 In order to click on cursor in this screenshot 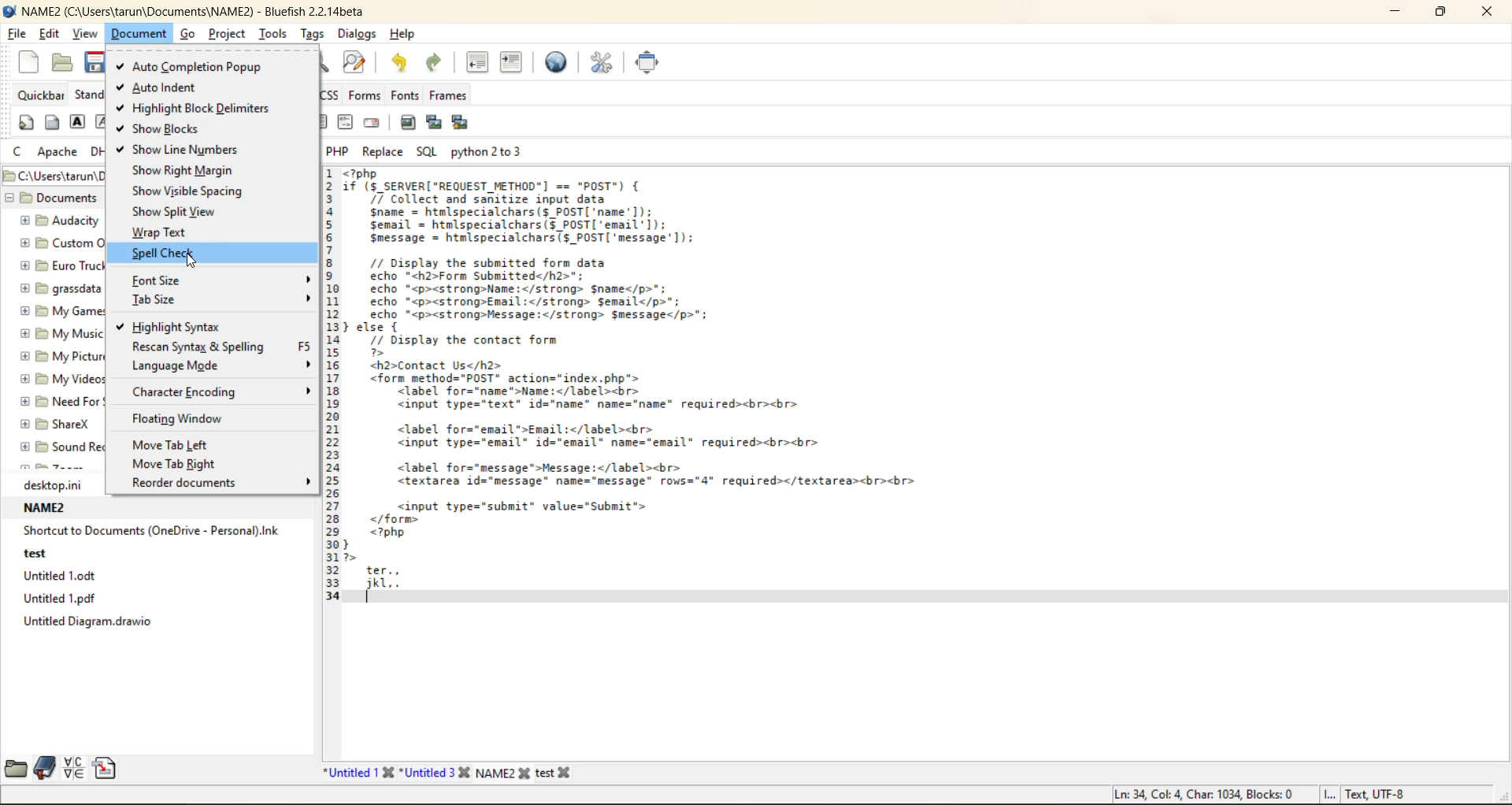, I will do `click(192, 261)`.